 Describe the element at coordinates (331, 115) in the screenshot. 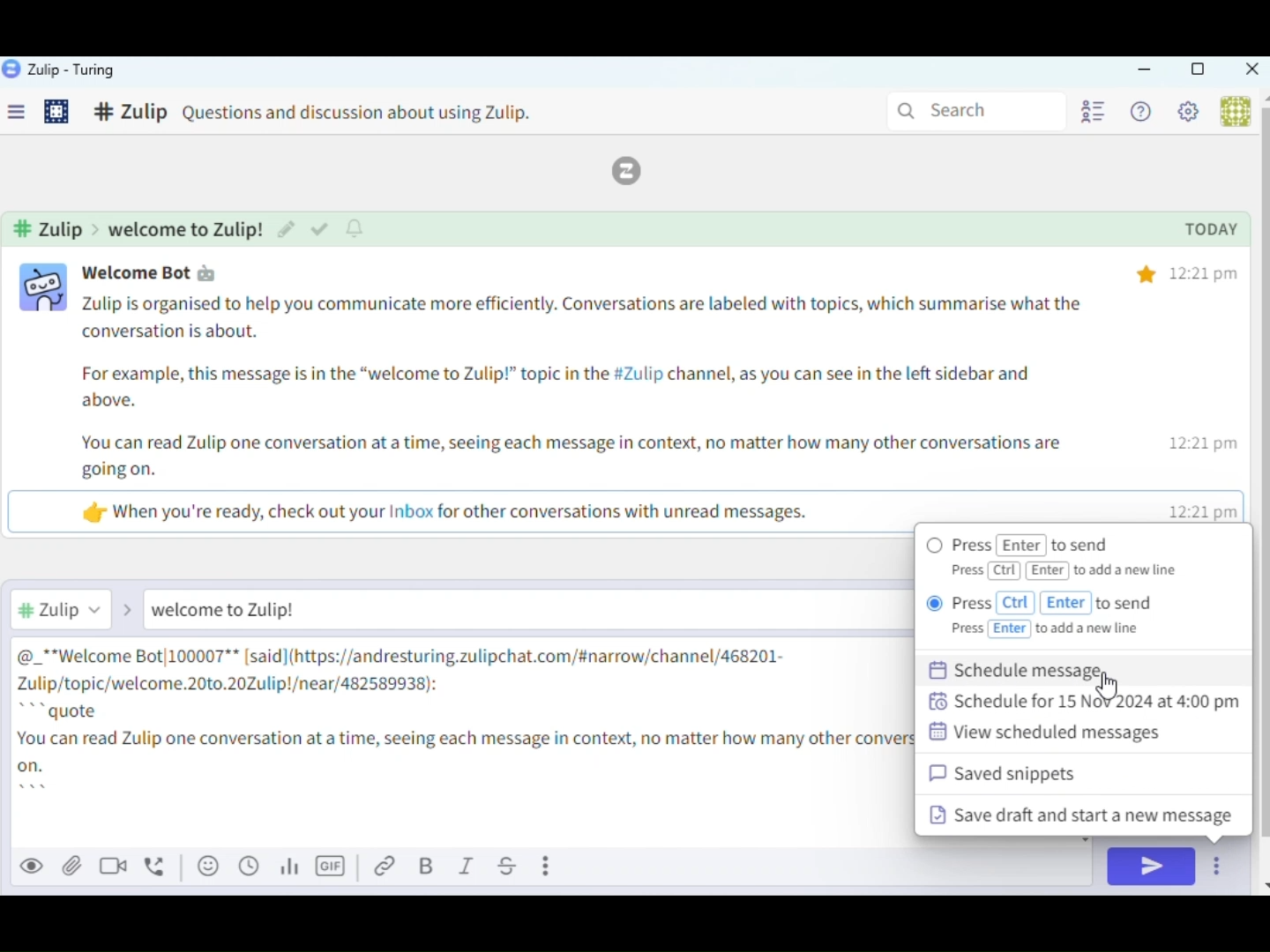

I see `Comment` at that location.